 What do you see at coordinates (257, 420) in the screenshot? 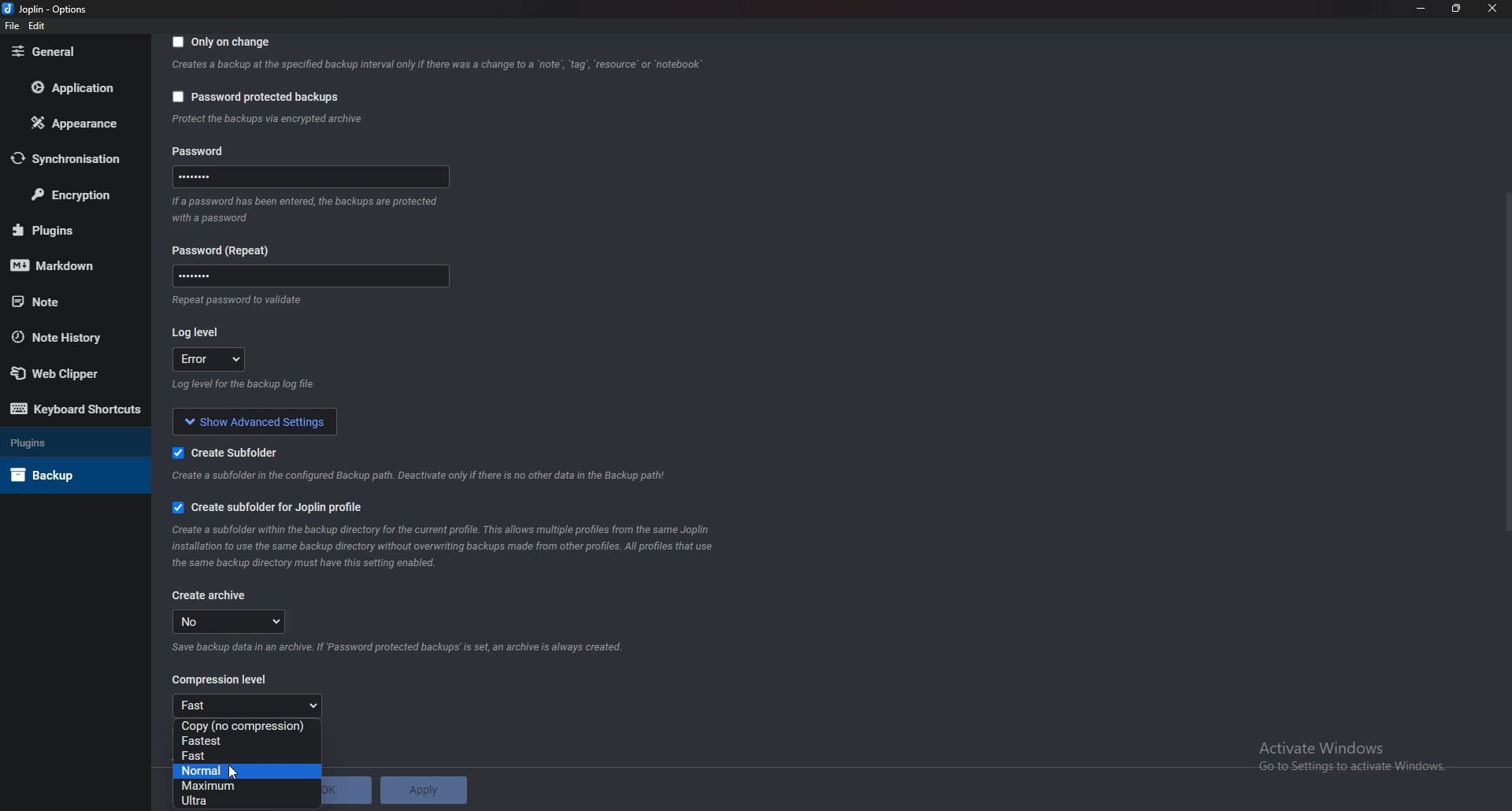
I see `Show advanced settings` at bounding box center [257, 420].